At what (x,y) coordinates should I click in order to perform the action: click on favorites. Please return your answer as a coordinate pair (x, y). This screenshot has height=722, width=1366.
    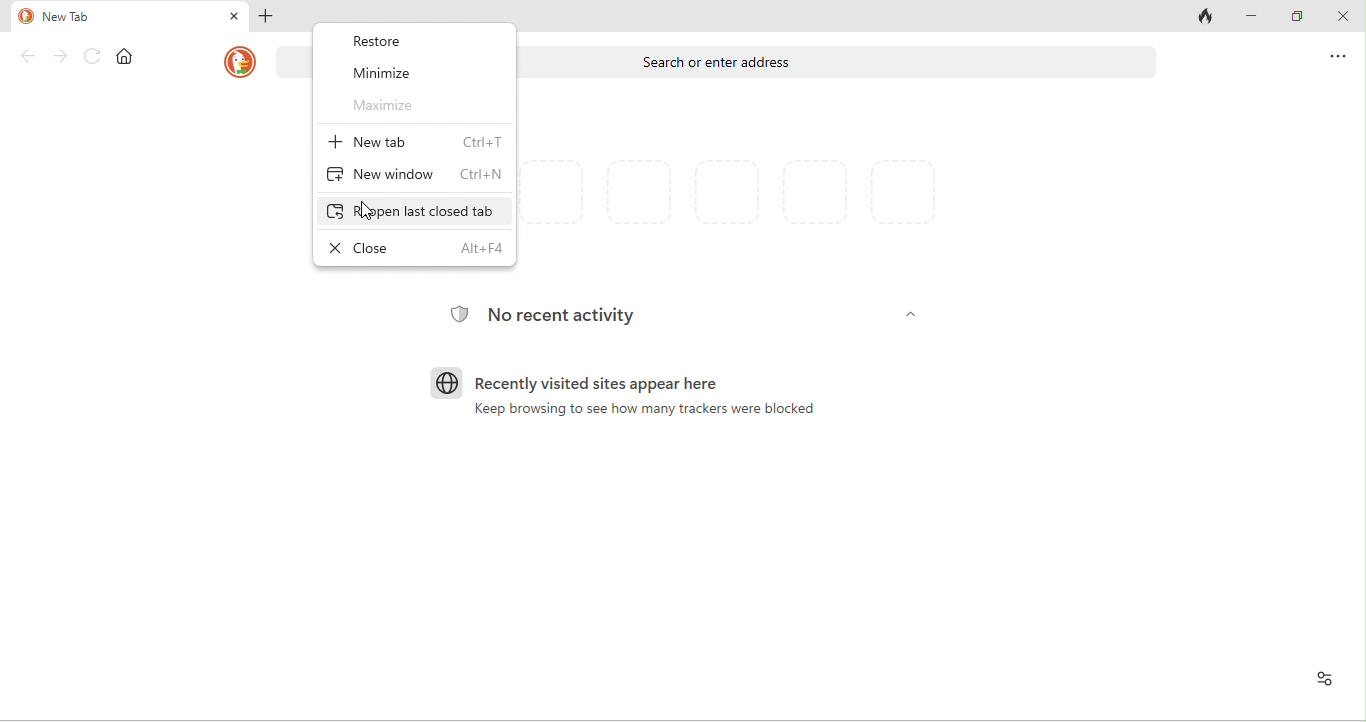
    Looking at the image, I should click on (740, 200).